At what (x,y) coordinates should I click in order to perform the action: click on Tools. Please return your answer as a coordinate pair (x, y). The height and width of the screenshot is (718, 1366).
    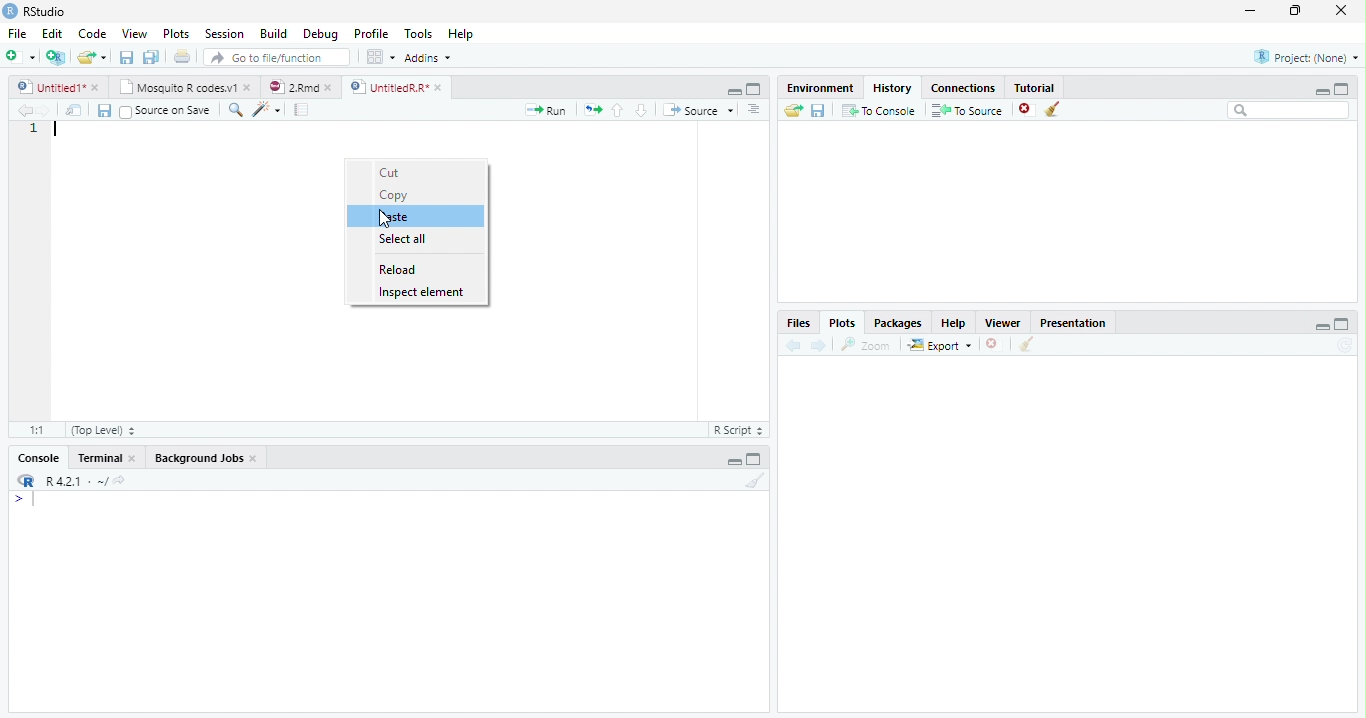
    Looking at the image, I should click on (417, 33).